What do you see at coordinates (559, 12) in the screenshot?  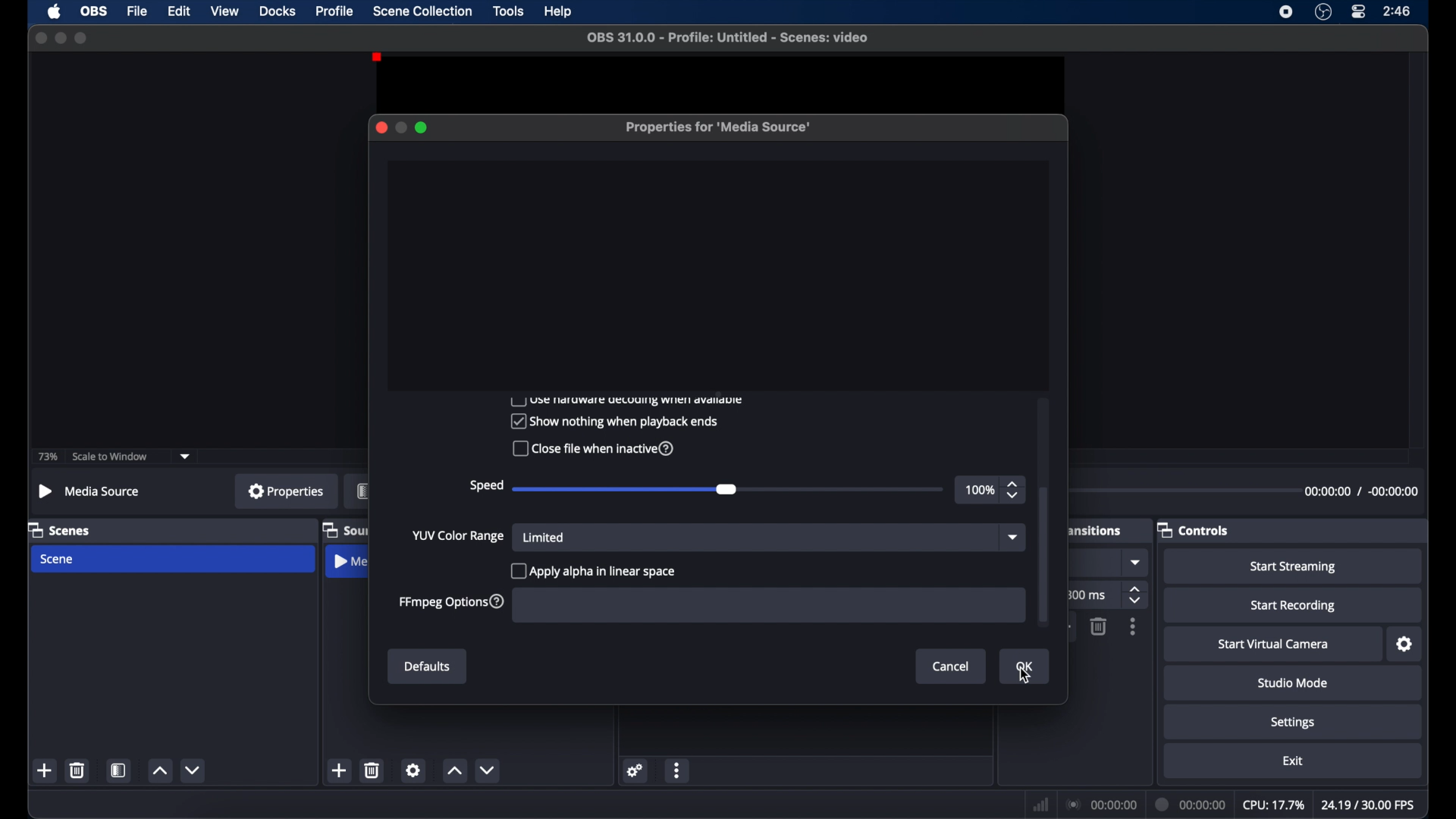 I see `help` at bounding box center [559, 12].